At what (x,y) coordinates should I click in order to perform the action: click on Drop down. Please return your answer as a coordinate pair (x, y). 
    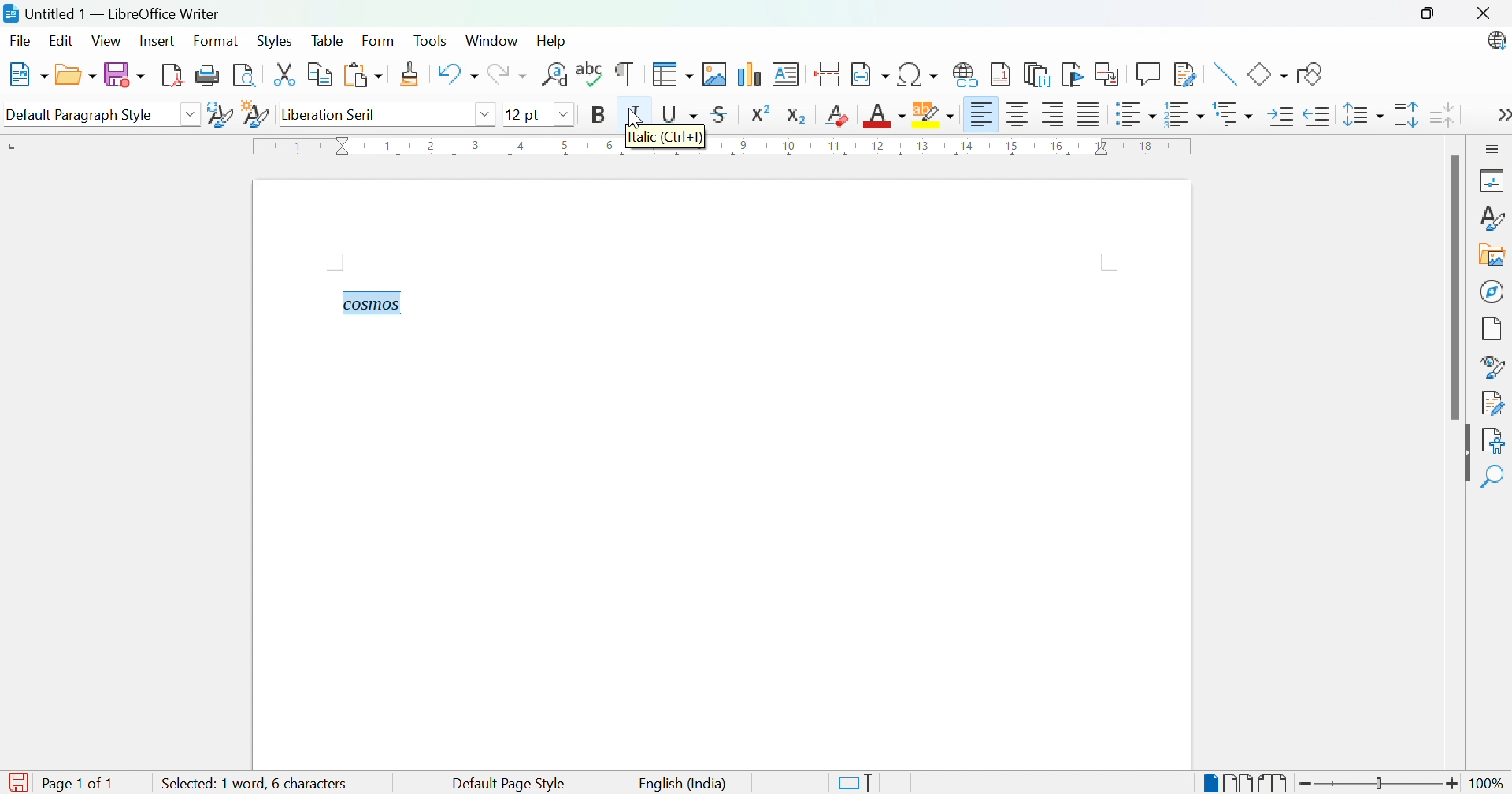
    Looking at the image, I should click on (566, 115).